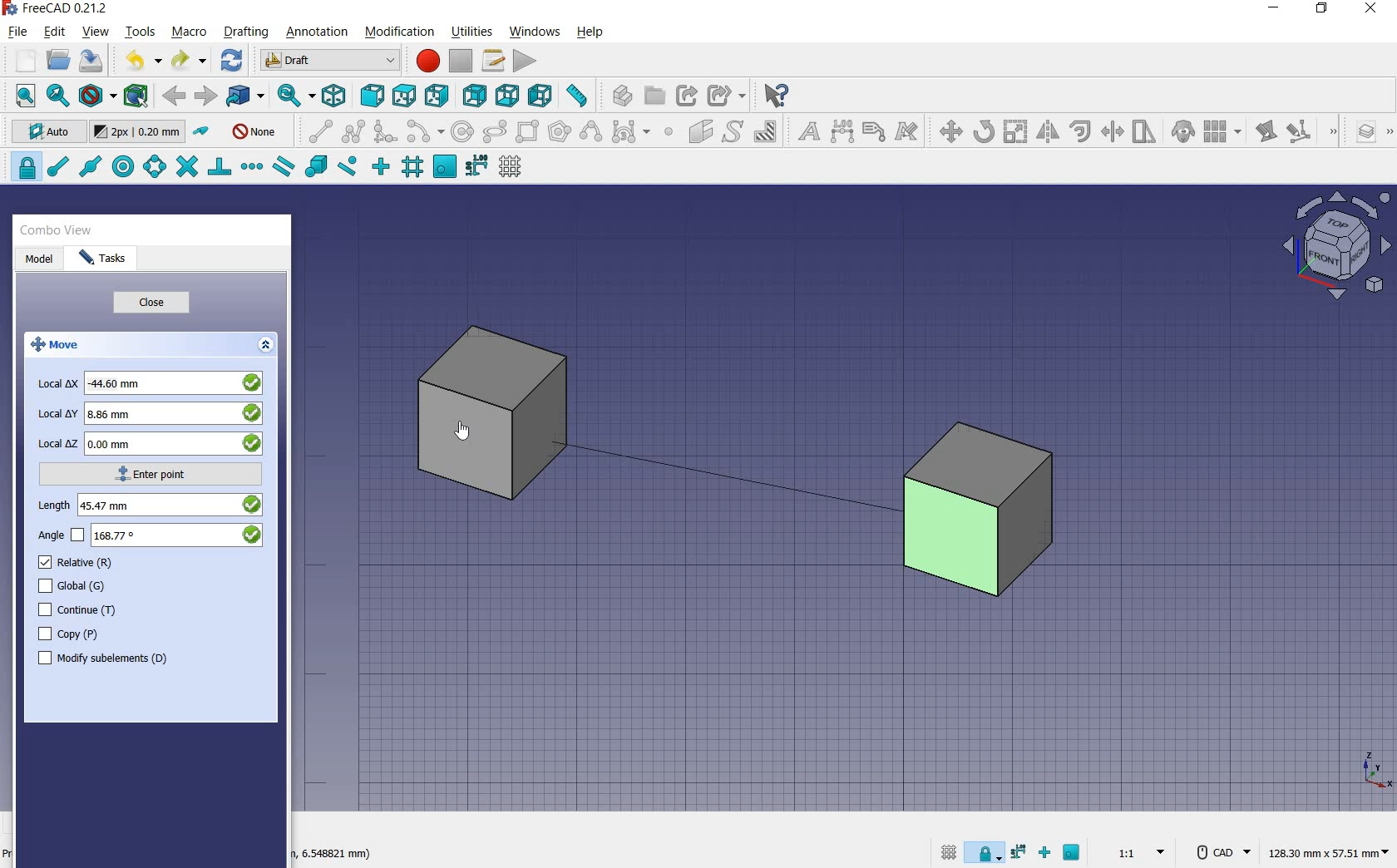 The image size is (1397, 868). Describe the element at coordinates (400, 32) in the screenshot. I see `modification` at that location.